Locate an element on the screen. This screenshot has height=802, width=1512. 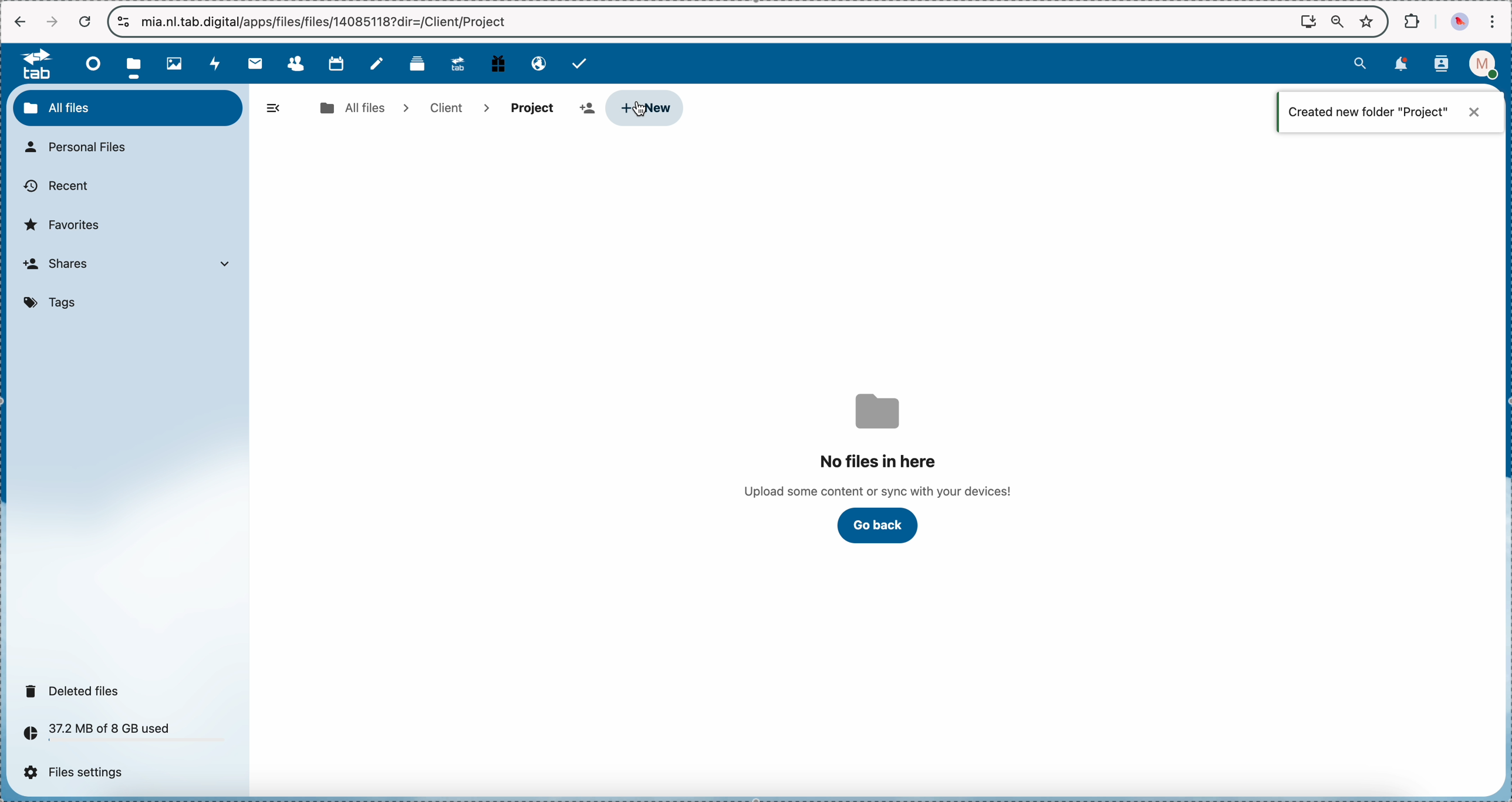
mail is located at coordinates (254, 63).